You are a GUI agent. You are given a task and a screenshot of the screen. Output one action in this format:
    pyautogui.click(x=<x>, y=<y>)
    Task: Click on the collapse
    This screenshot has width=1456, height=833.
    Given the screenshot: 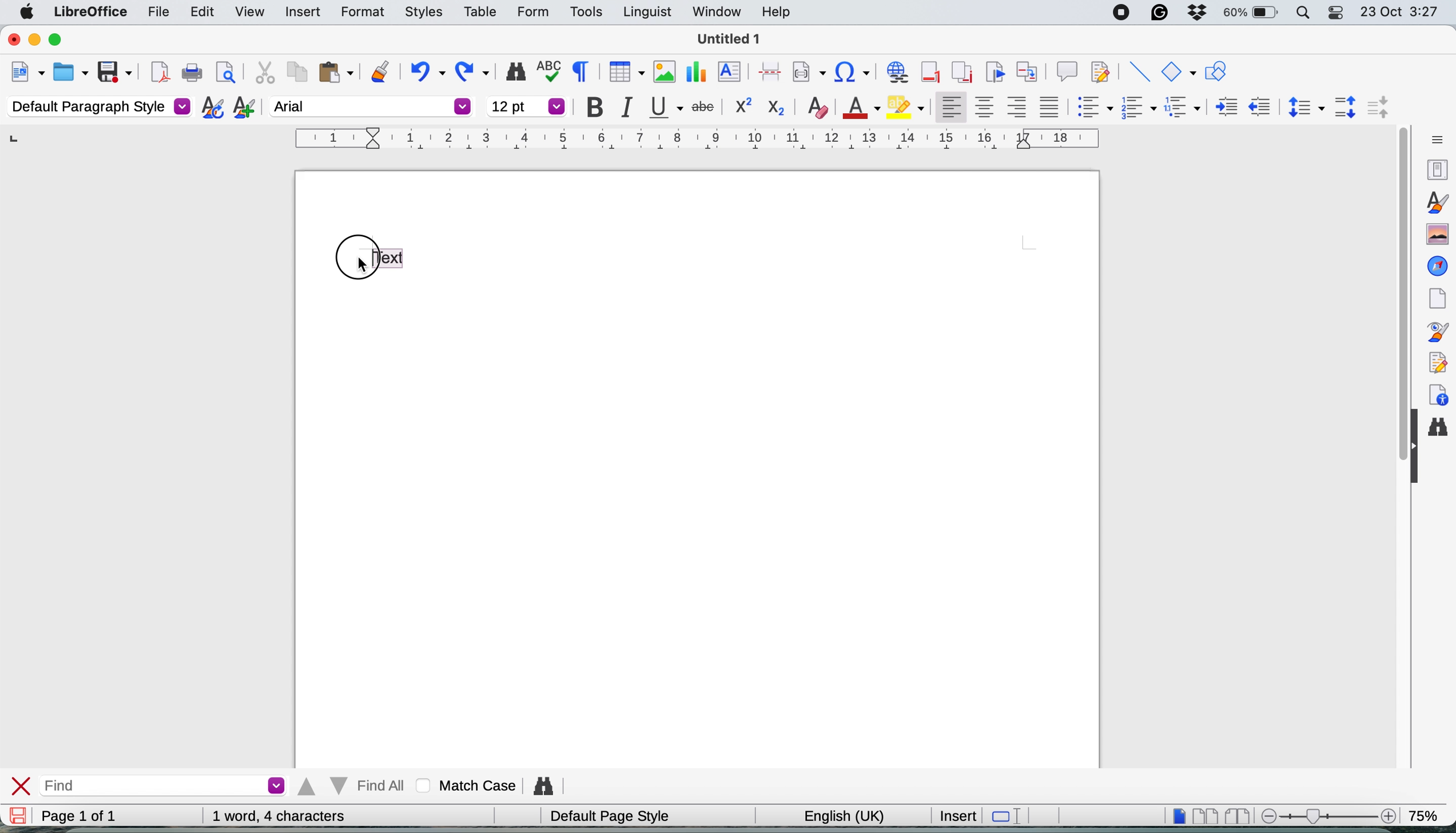 What is the action you would take?
    pyautogui.click(x=1415, y=453)
    